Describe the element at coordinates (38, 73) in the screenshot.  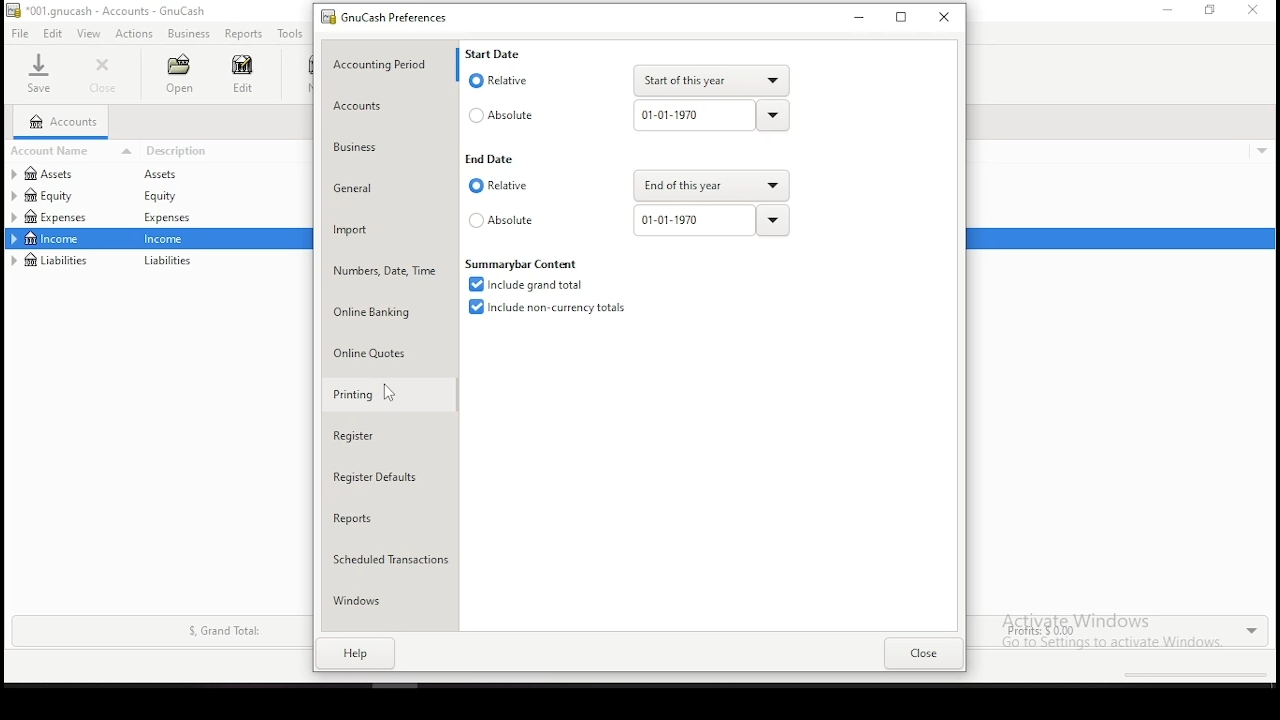
I see `save` at that location.